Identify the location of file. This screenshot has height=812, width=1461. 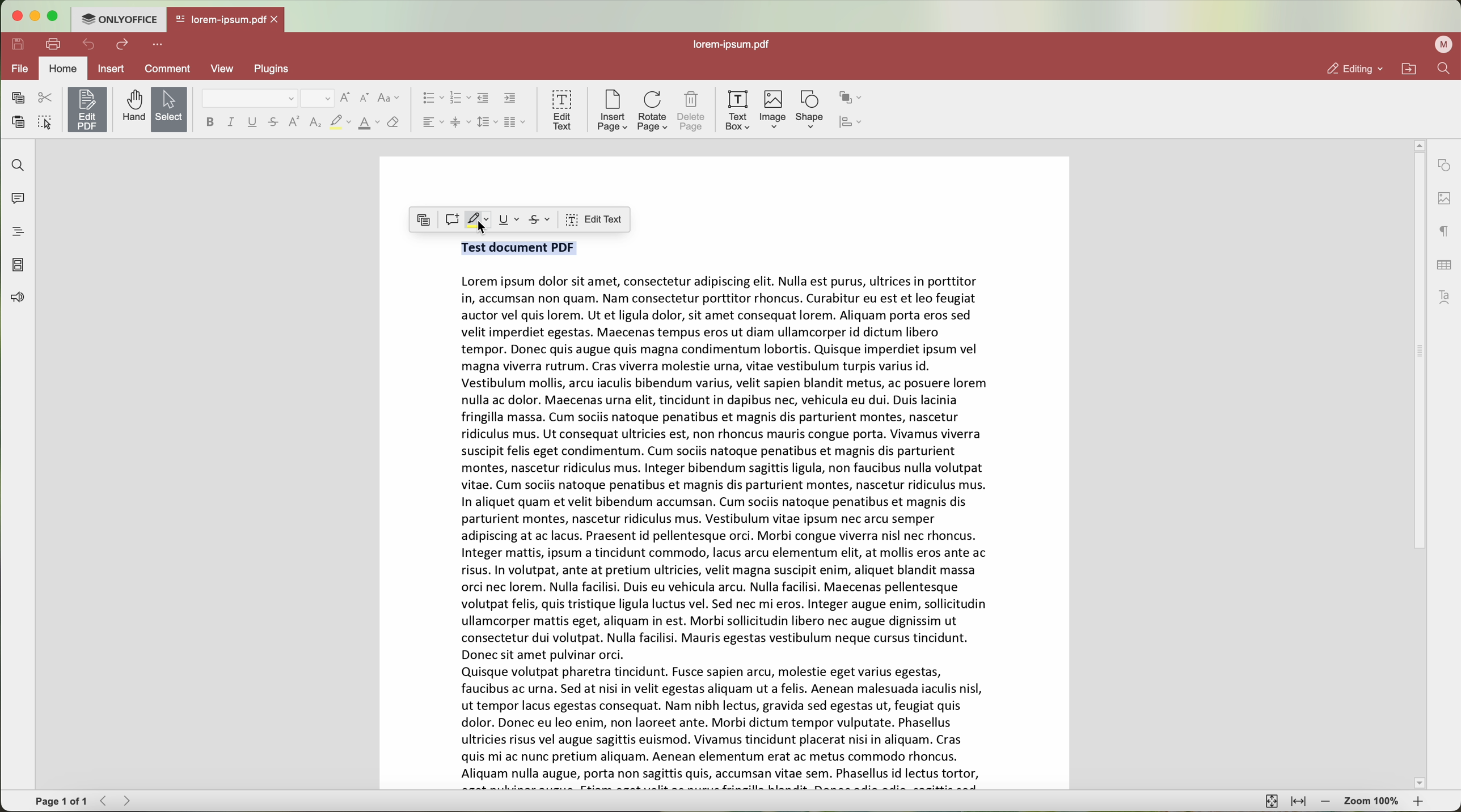
(19, 70).